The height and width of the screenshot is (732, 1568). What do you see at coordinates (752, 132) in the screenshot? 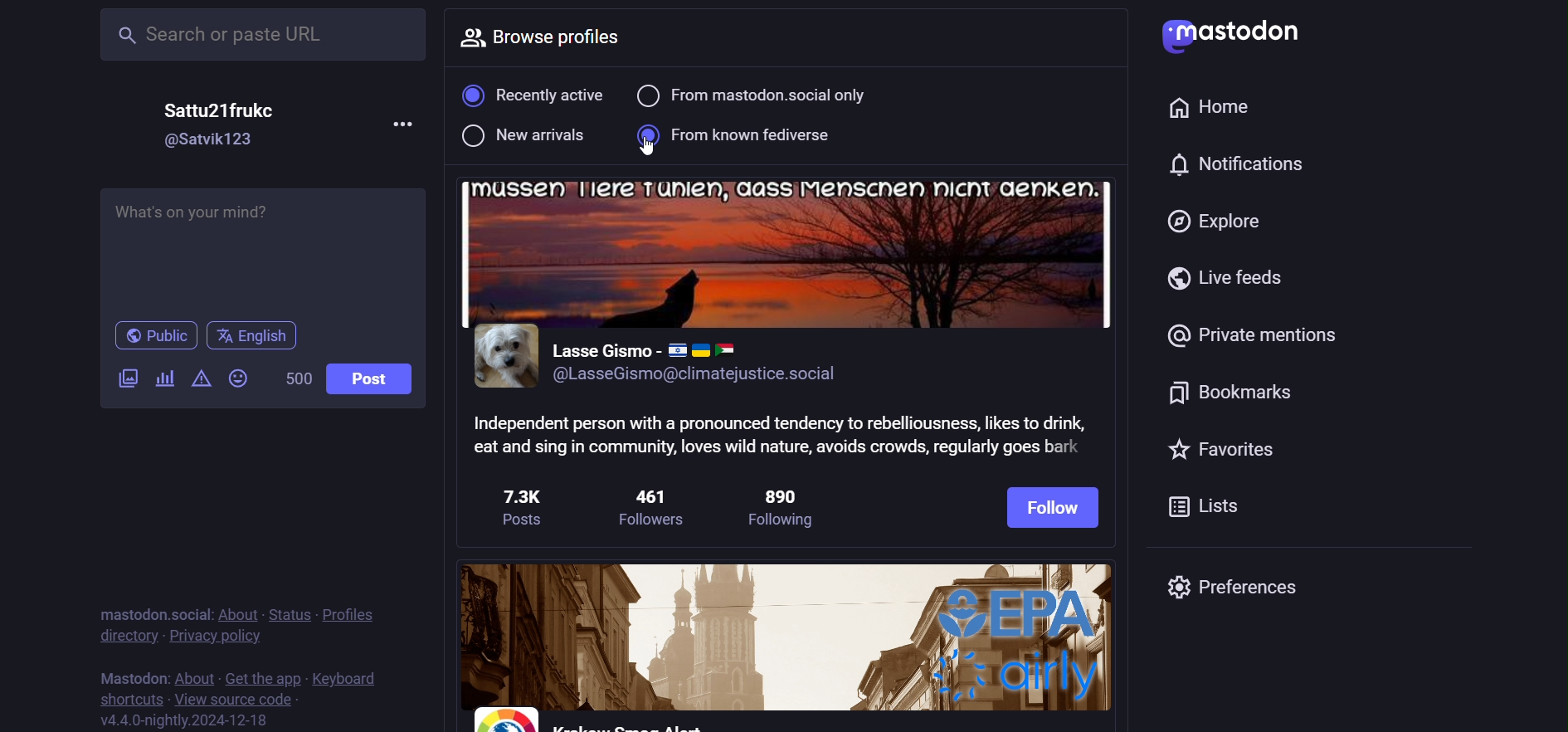
I see `selected from known fediverse filter` at bounding box center [752, 132].